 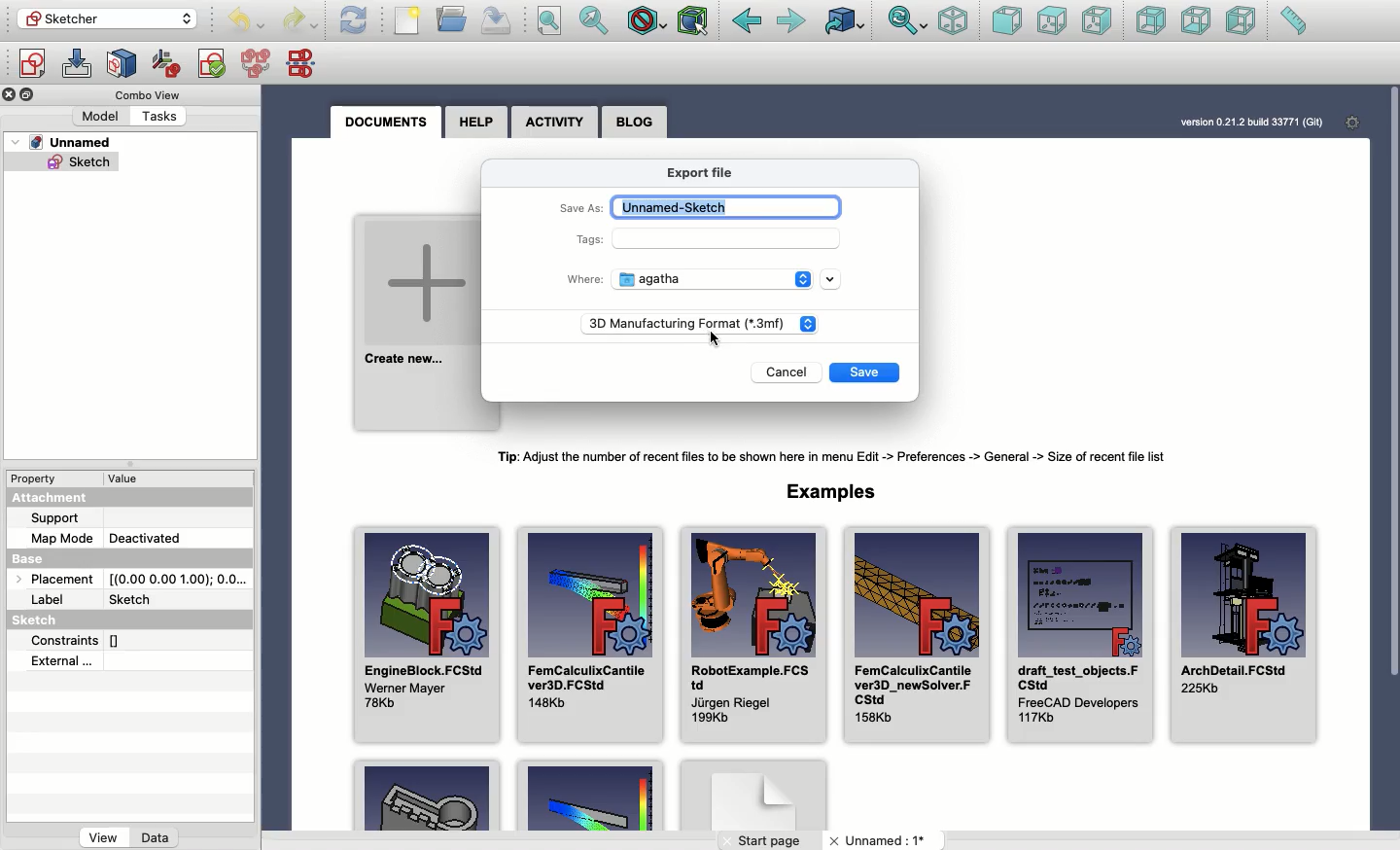 I want to click on Activity , so click(x=556, y=123).